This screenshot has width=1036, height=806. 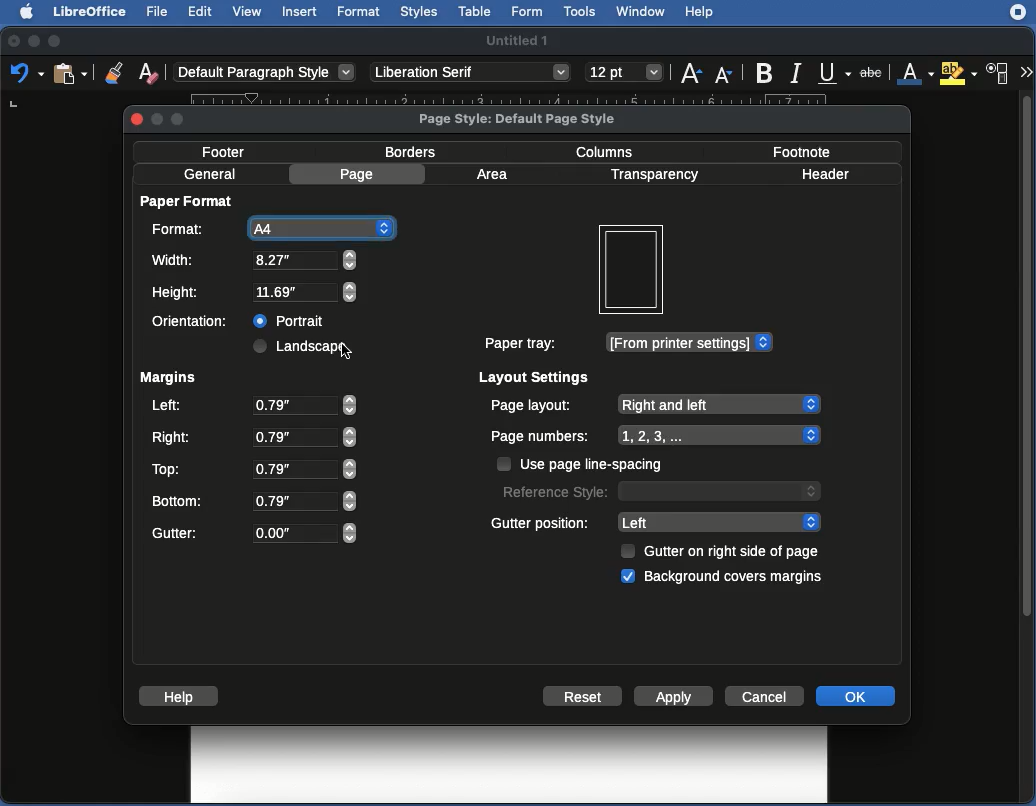 What do you see at coordinates (23, 77) in the screenshot?
I see `undo` at bounding box center [23, 77].